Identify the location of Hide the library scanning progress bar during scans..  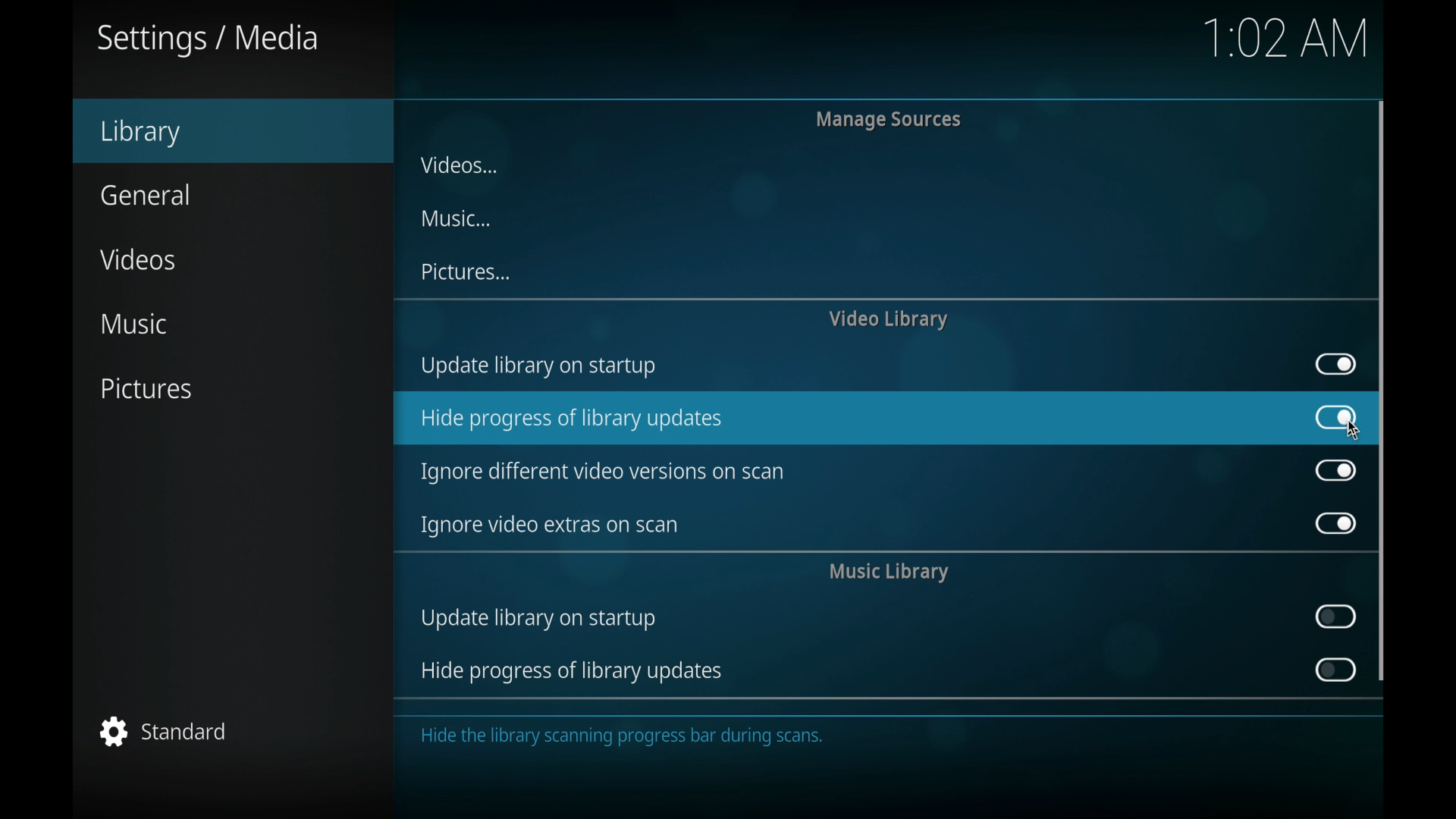
(618, 742).